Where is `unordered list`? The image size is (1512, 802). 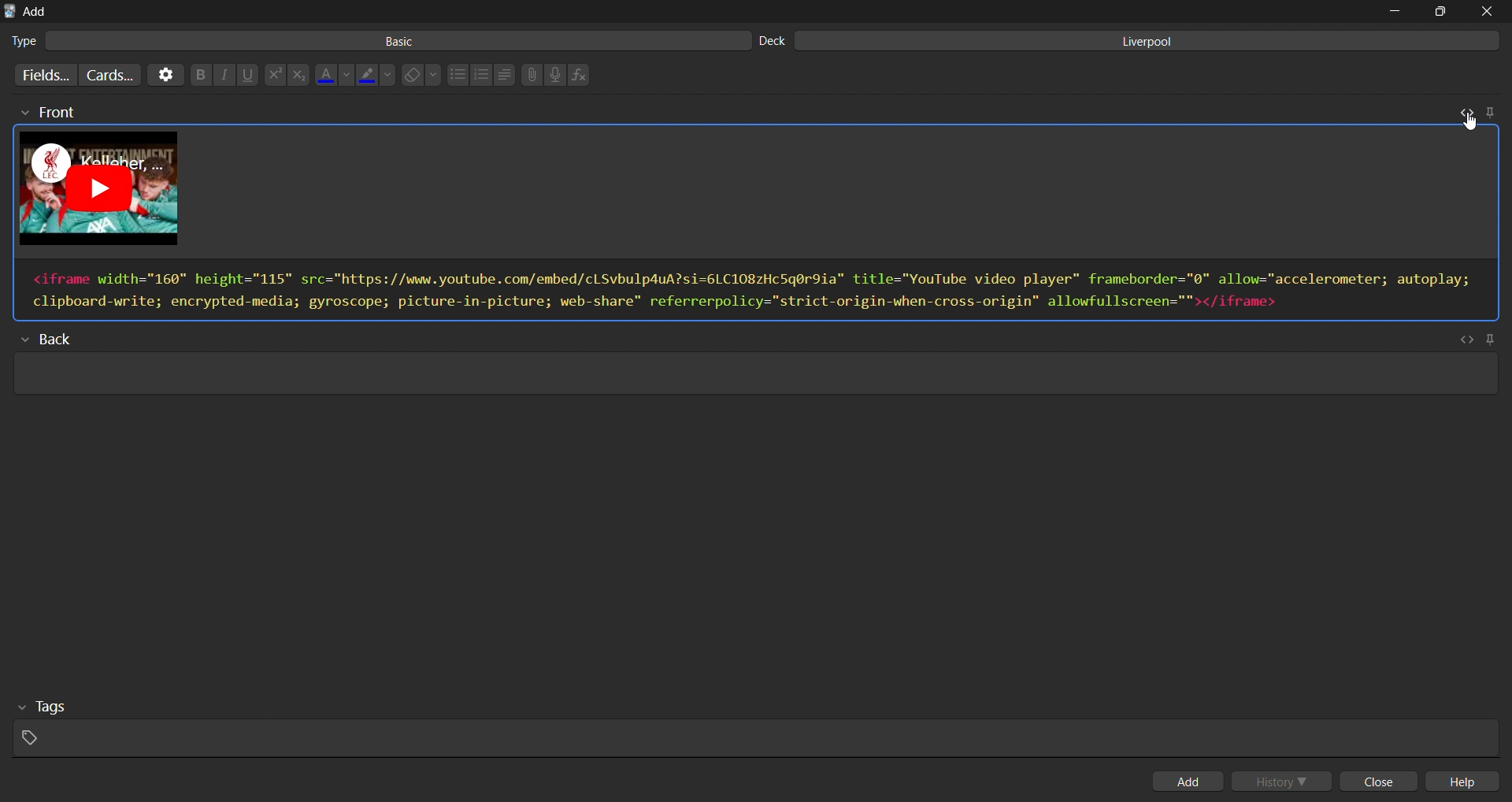 unordered list is located at coordinates (457, 76).